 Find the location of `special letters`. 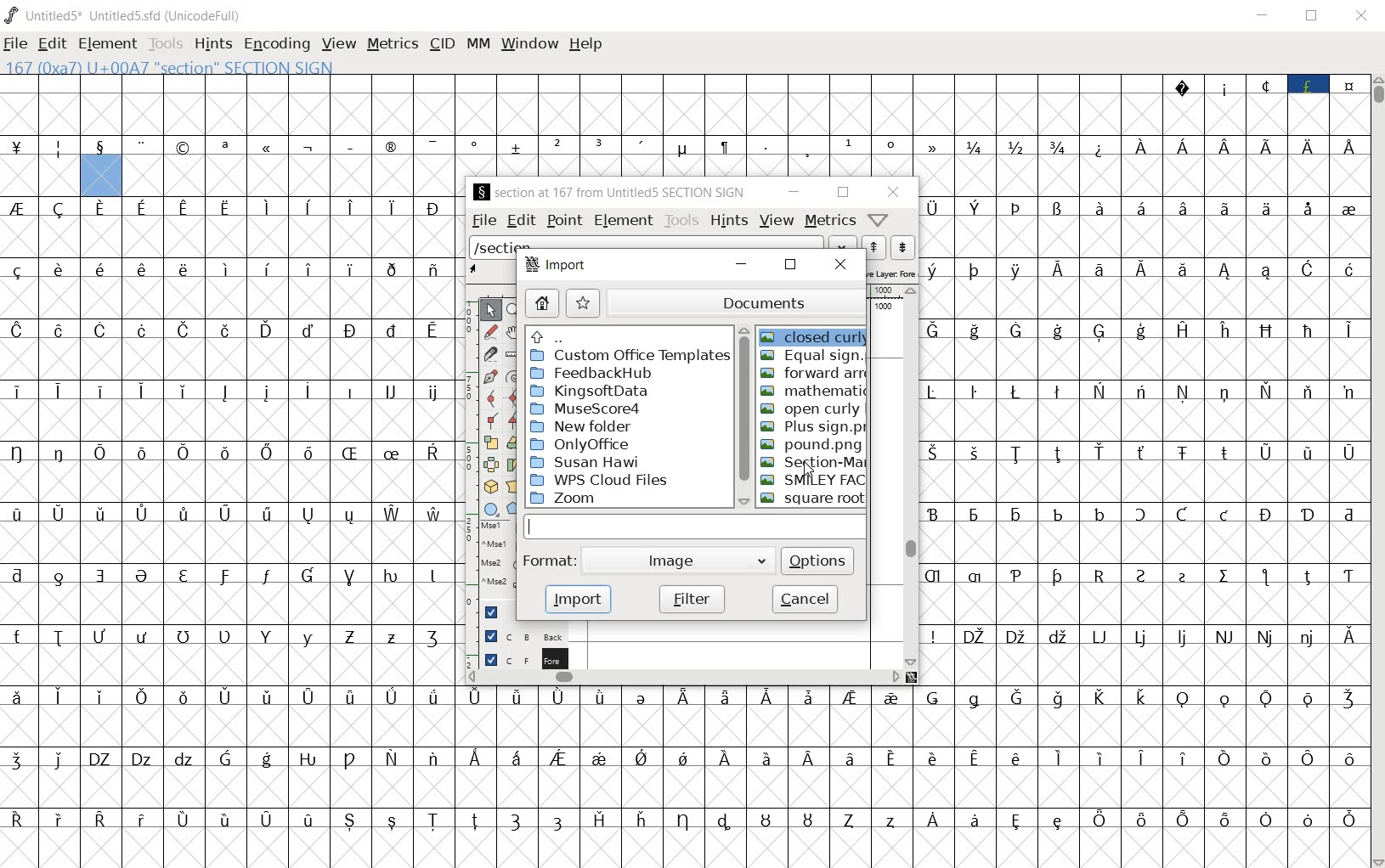

special letters is located at coordinates (230, 454).